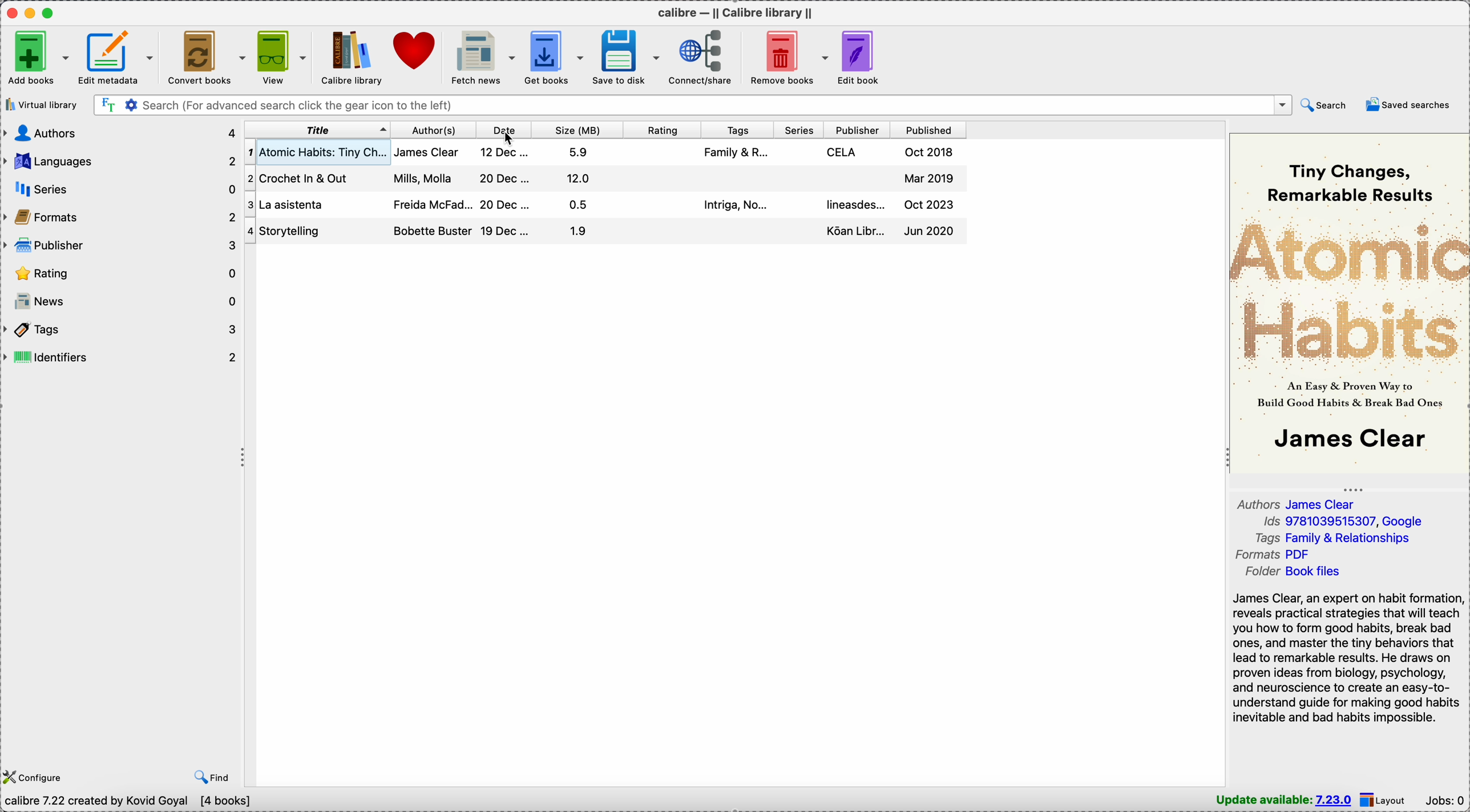 This screenshot has width=1470, height=812. Describe the element at coordinates (415, 52) in the screenshot. I see `donate` at that location.